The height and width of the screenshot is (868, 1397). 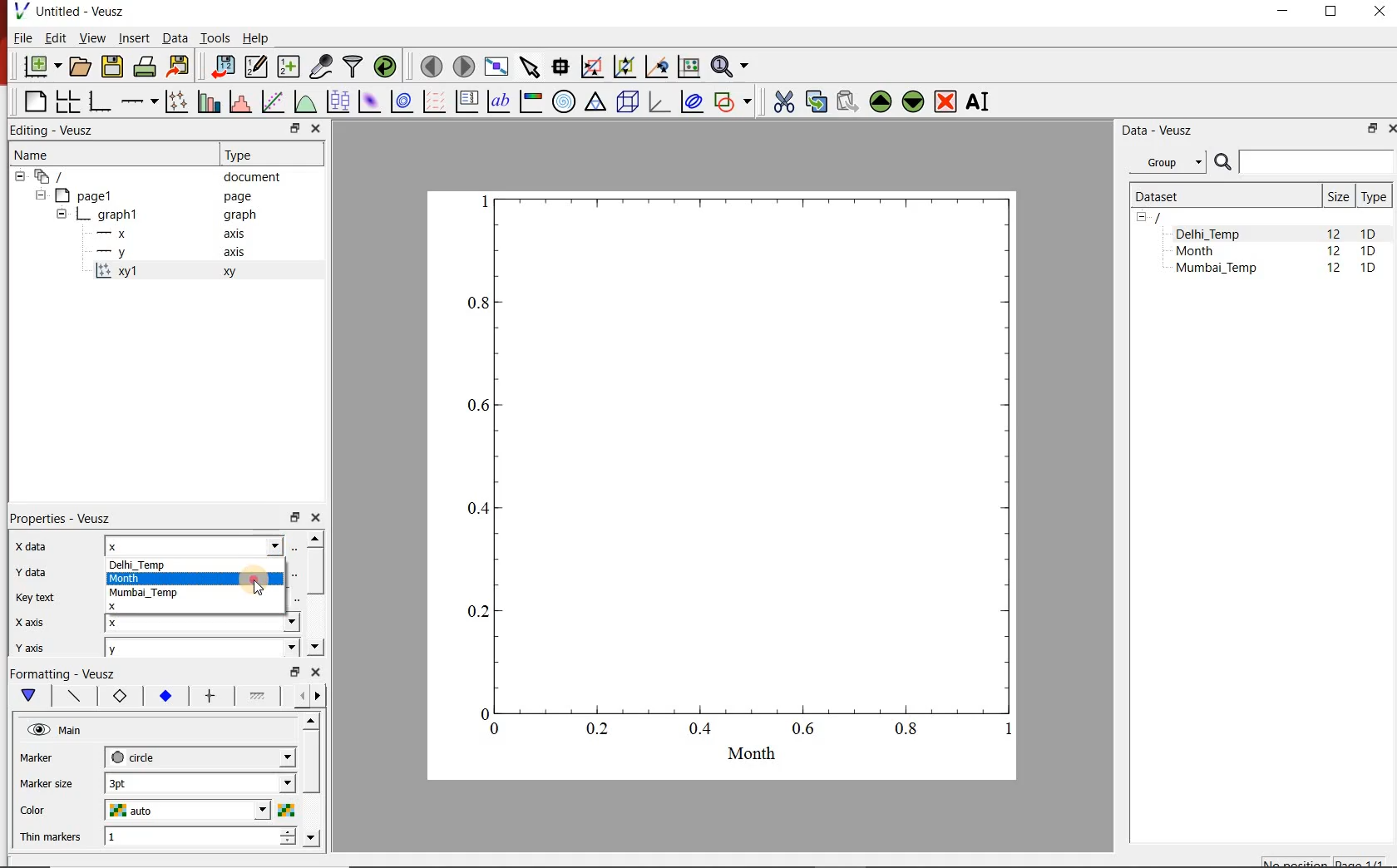 I want to click on plot a 2d dataset as an image, so click(x=371, y=101).